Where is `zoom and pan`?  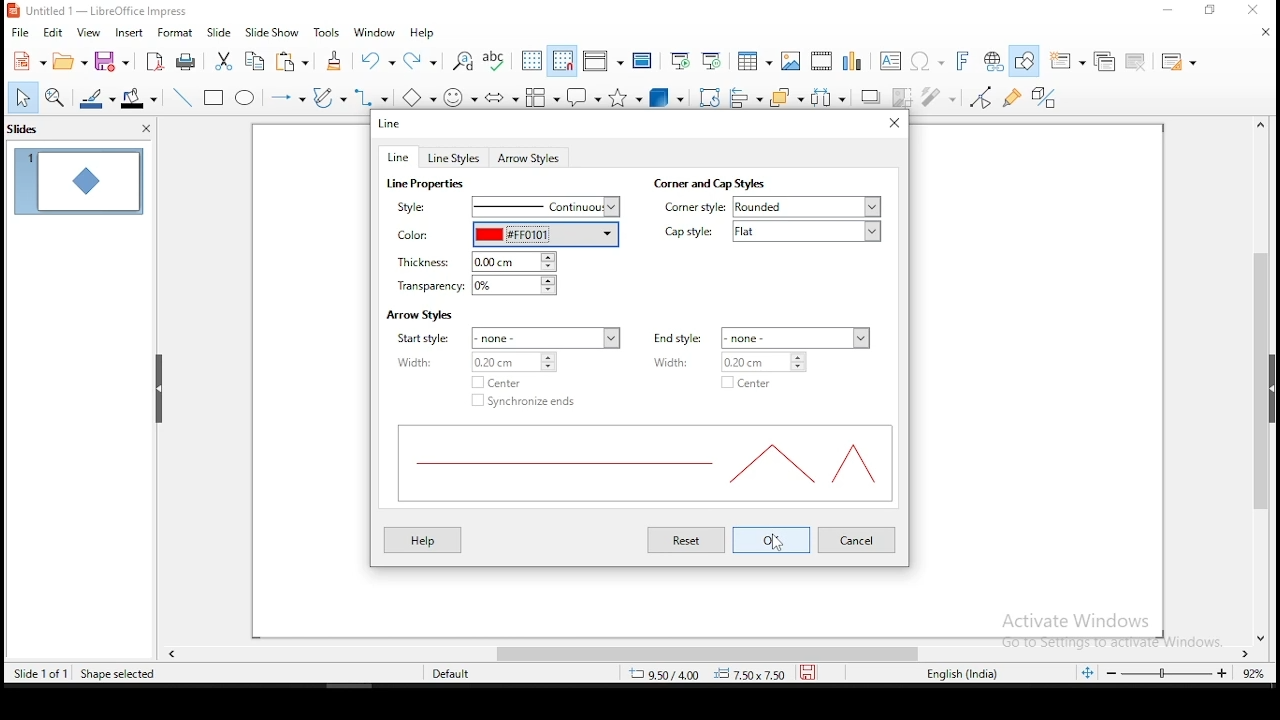 zoom and pan is located at coordinates (55, 100).